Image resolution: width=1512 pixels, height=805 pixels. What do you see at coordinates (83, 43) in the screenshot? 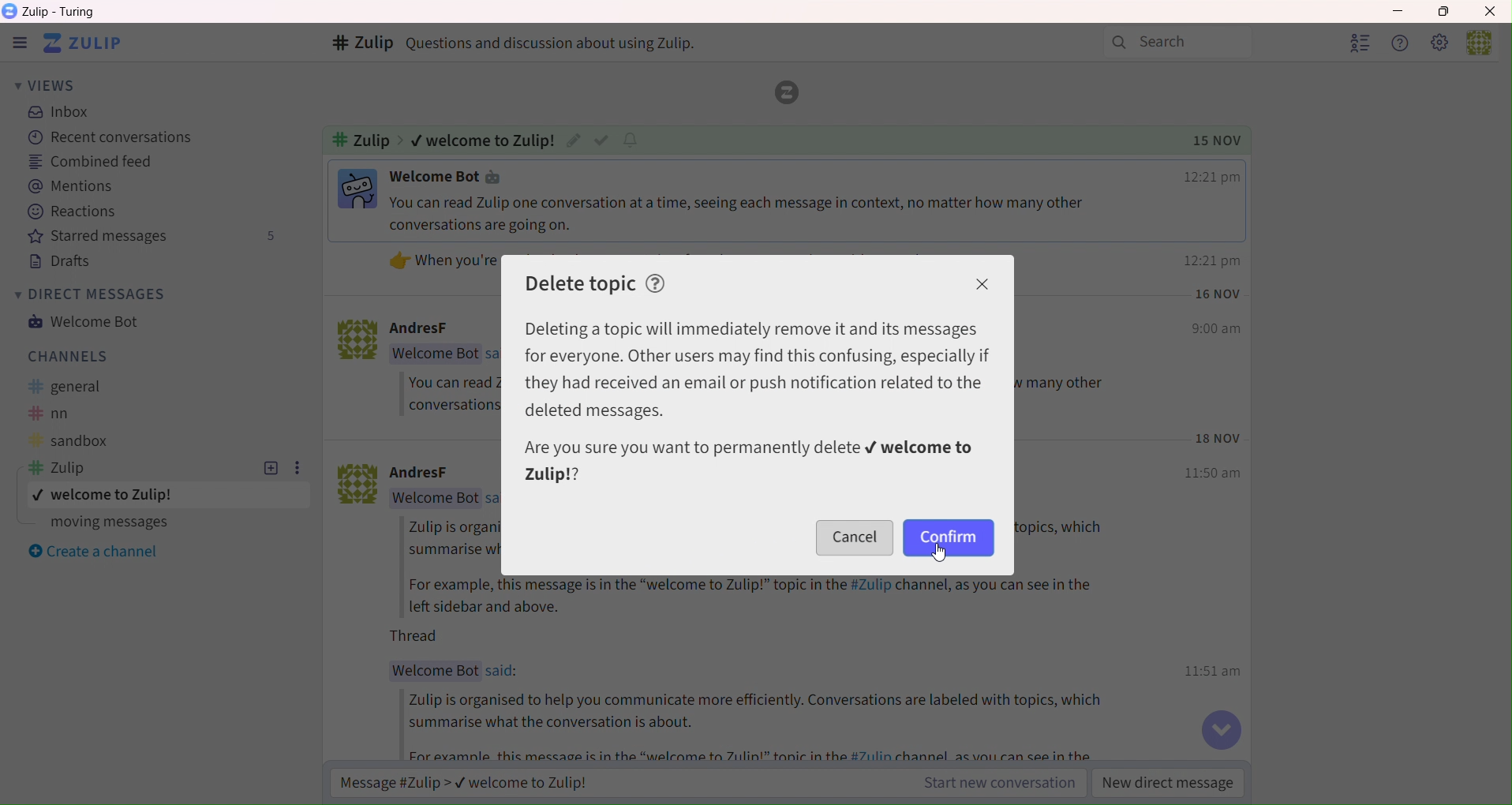
I see `Software logo and name` at bounding box center [83, 43].